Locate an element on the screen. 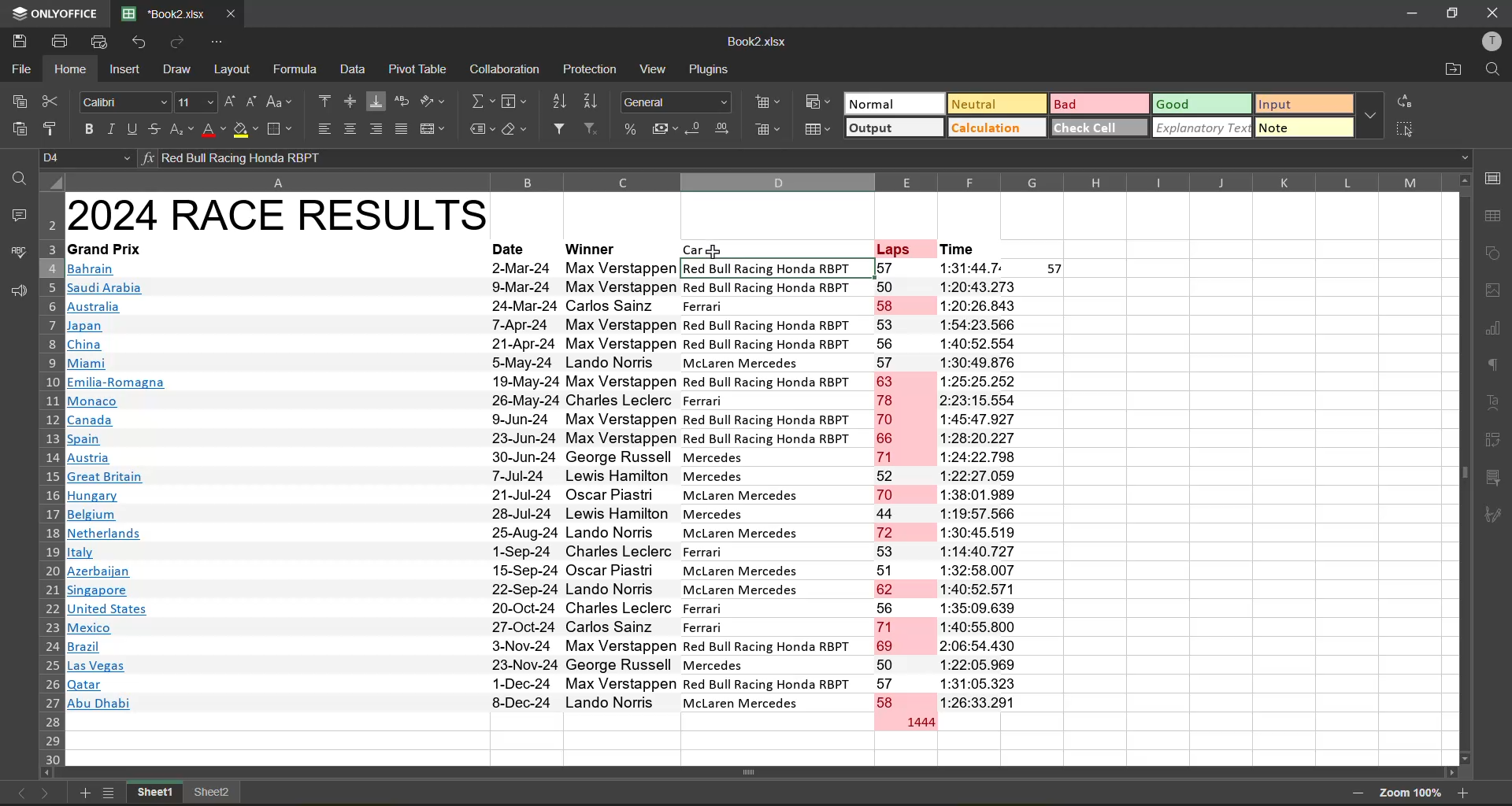 Image resolution: width=1512 pixels, height=806 pixels. table is located at coordinates (1495, 217).